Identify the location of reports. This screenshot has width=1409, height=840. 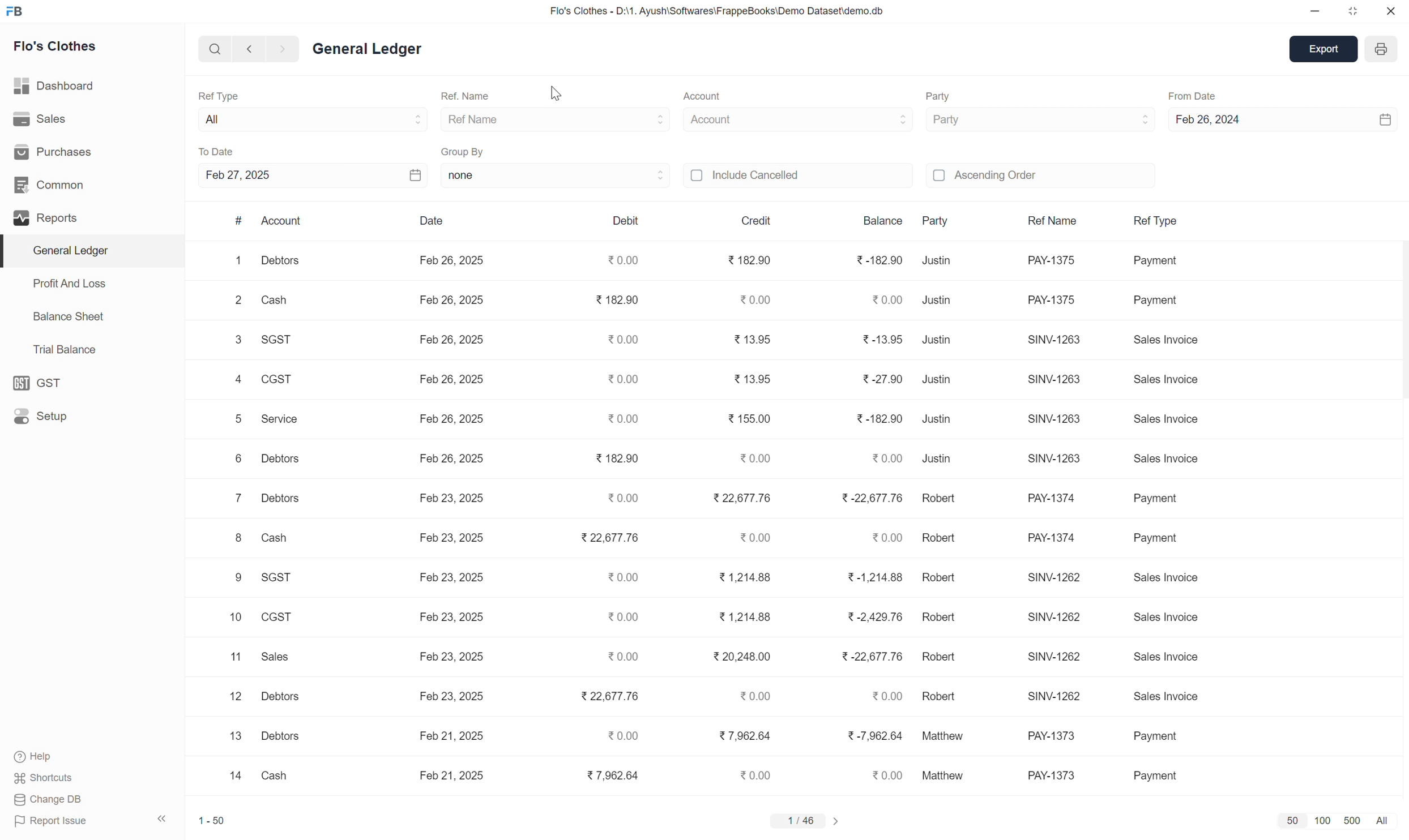
(87, 217).